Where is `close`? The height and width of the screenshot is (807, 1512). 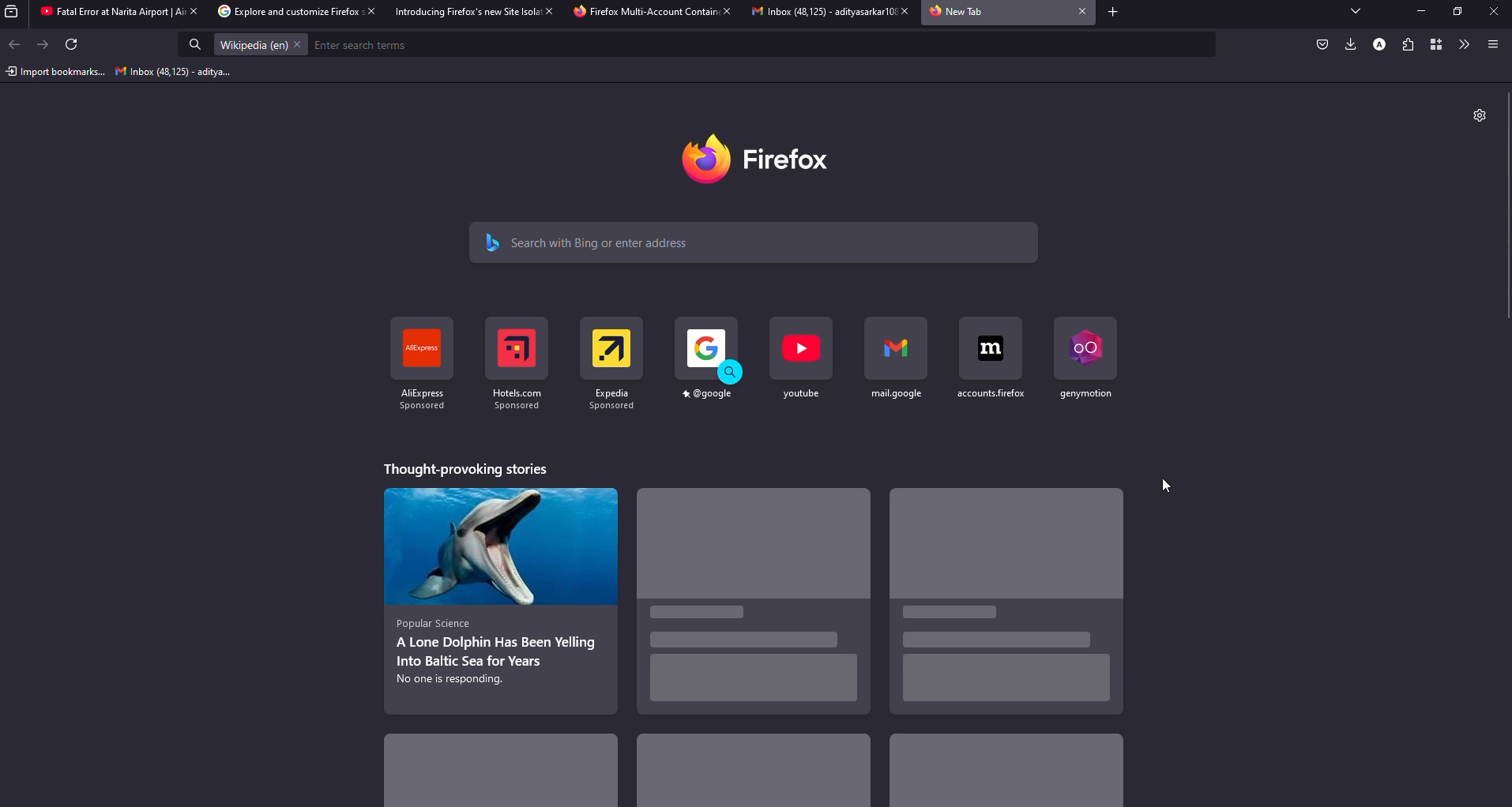
close is located at coordinates (546, 10).